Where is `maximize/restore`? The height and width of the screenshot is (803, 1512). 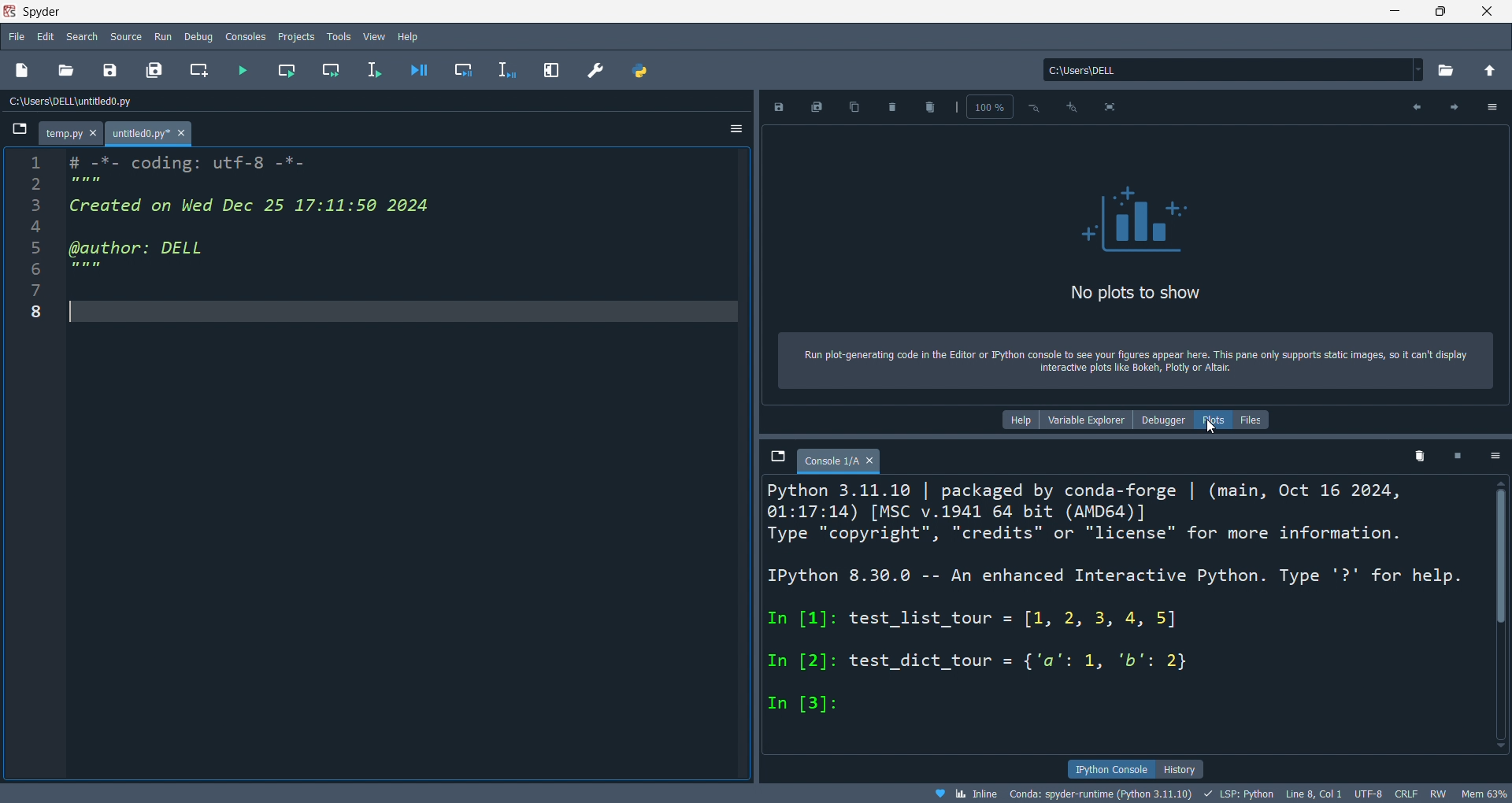 maximize/restore is located at coordinates (1440, 11).